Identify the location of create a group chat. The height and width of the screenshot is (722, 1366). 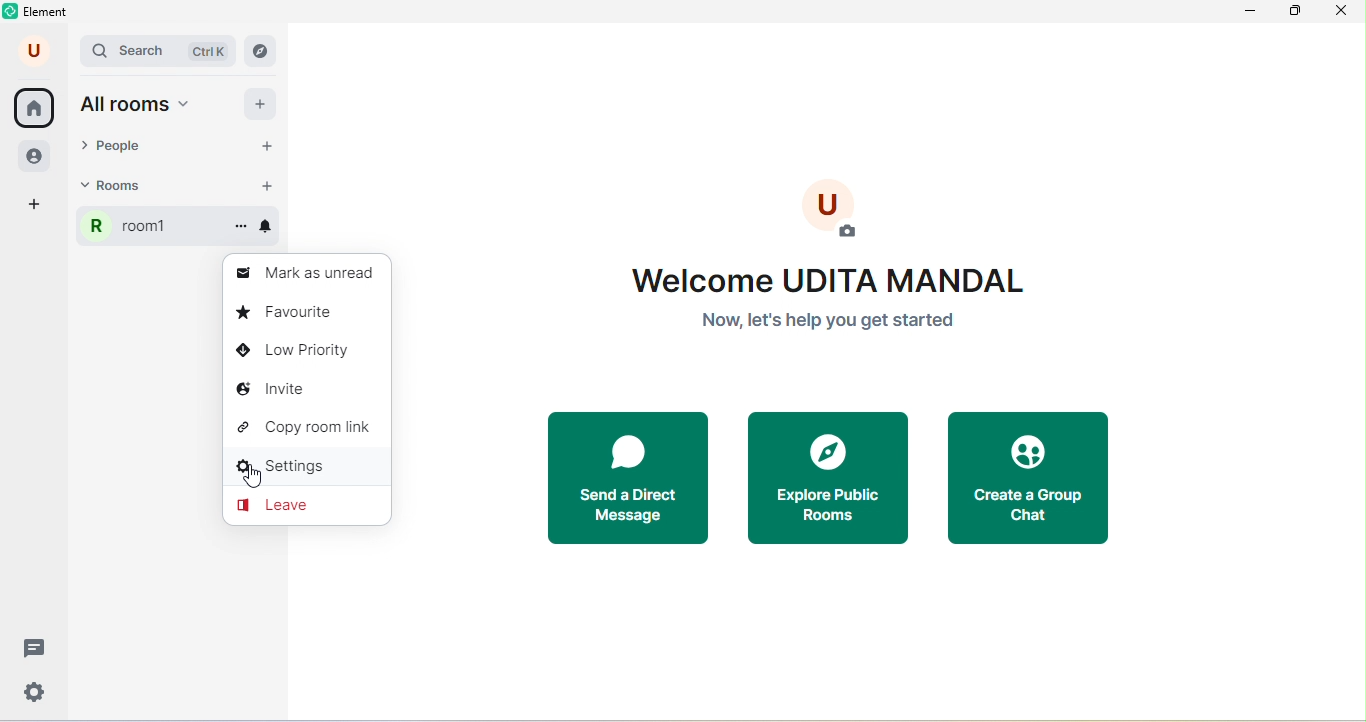
(1036, 476).